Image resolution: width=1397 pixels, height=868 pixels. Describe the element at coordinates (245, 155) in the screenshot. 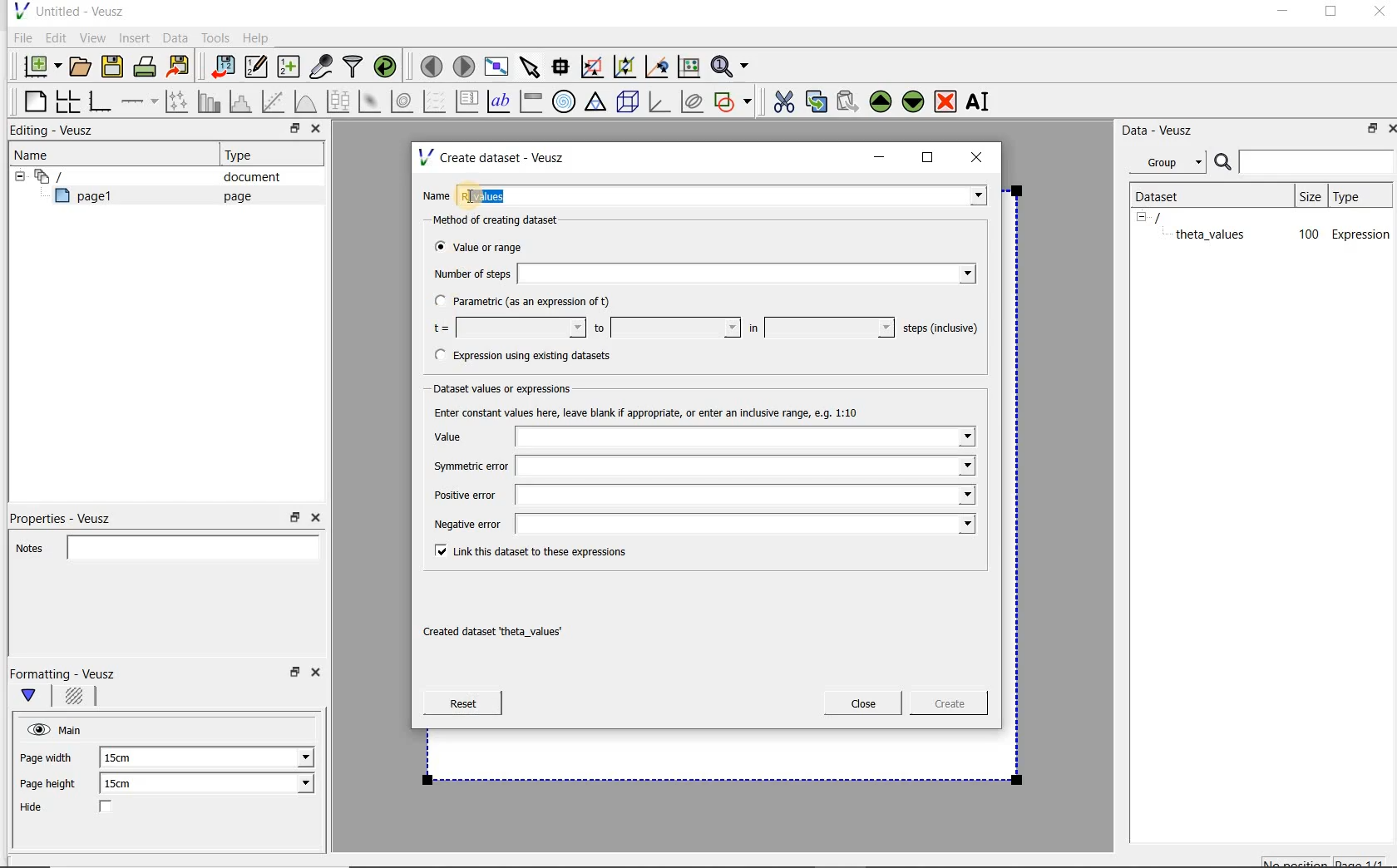

I see `Type` at that location.